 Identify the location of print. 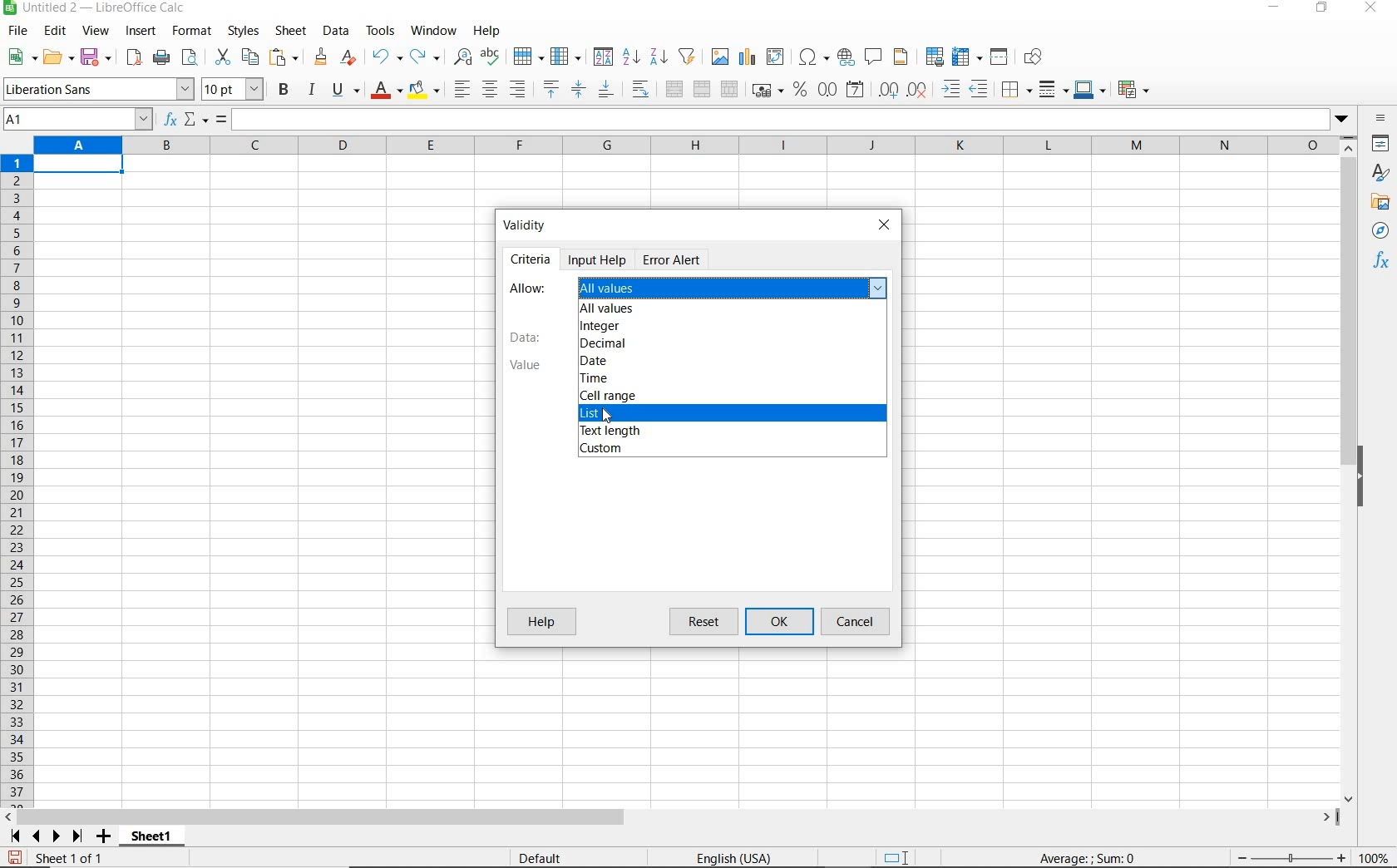
(161, 57).